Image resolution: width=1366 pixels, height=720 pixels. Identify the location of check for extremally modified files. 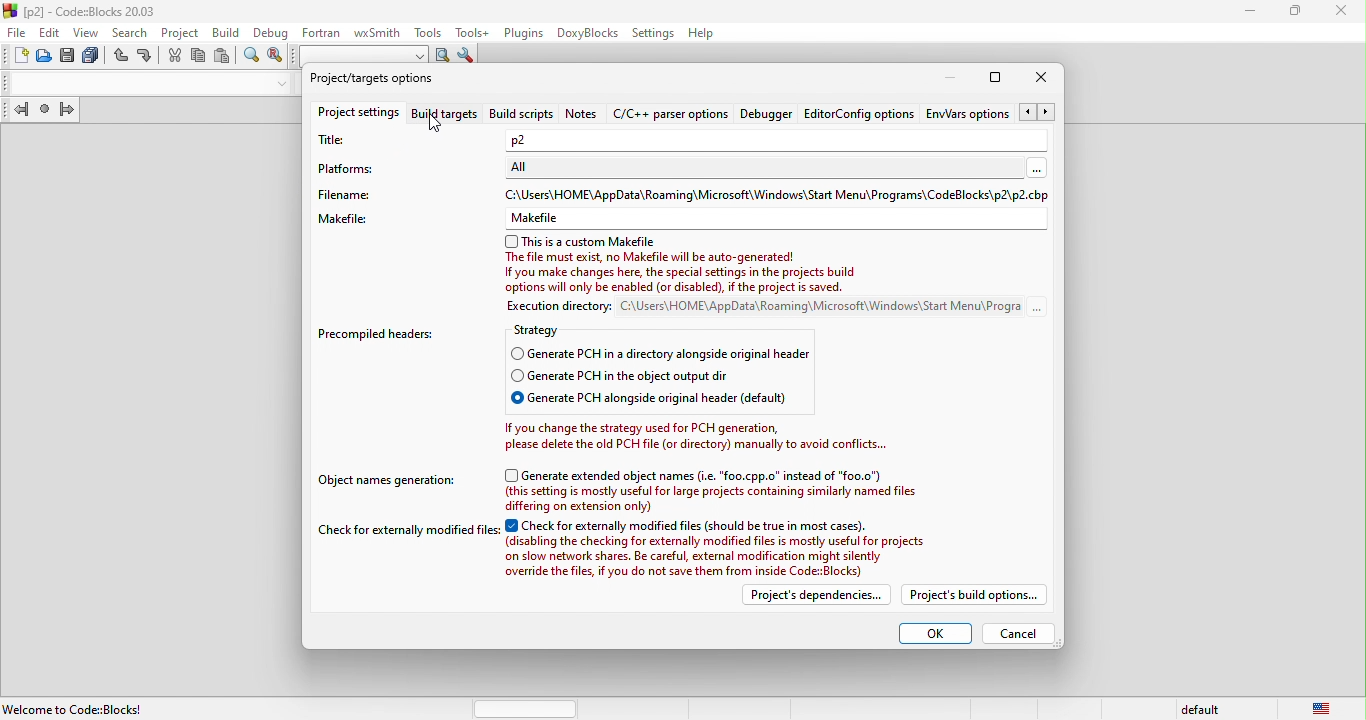
(699, 525).